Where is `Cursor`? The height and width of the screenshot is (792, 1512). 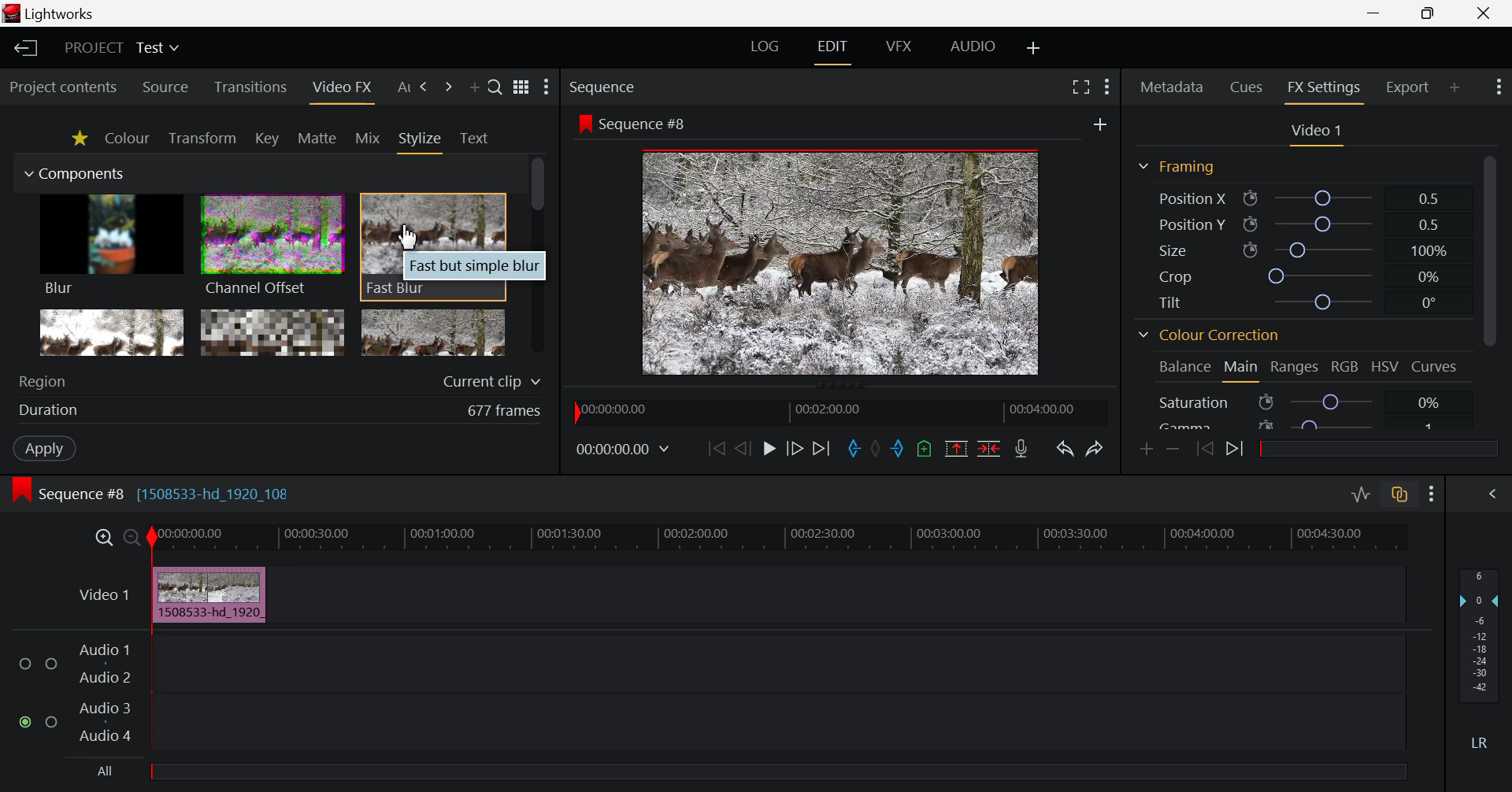
Cursor is located at coordinates (407, 235).